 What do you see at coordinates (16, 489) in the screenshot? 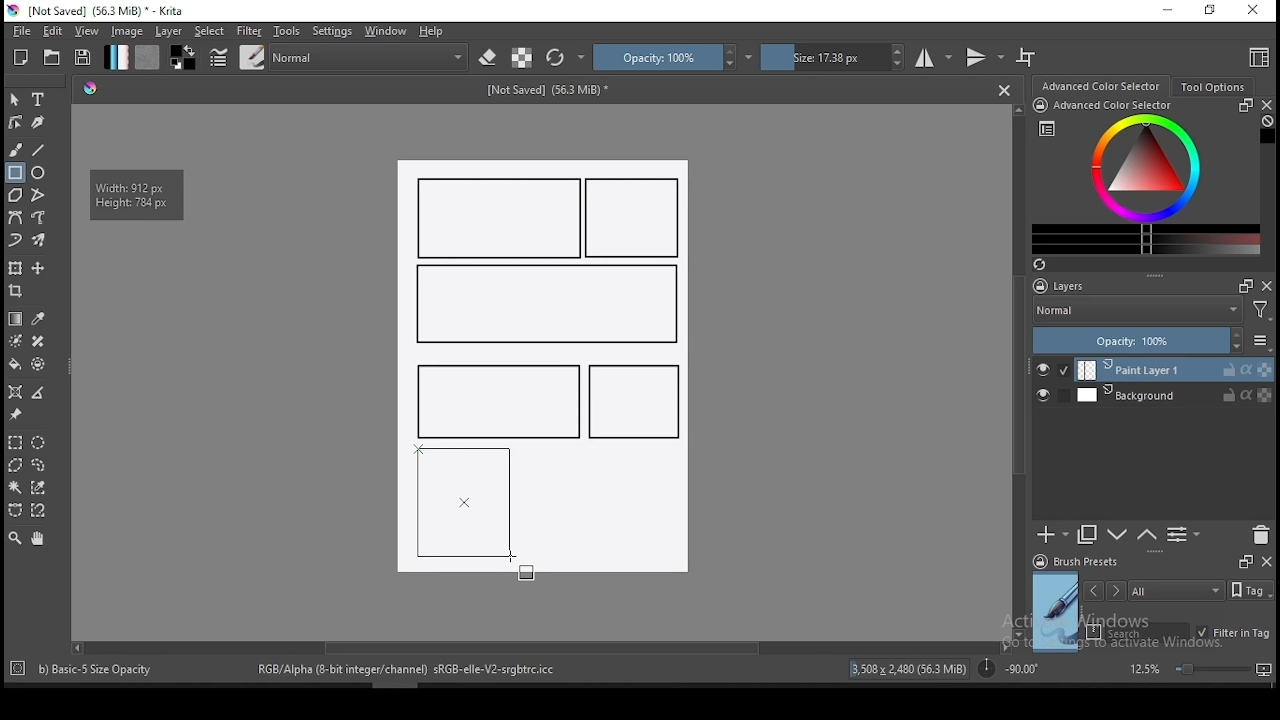
I see `contiguous selection tool` at bounding box center [16, 489].